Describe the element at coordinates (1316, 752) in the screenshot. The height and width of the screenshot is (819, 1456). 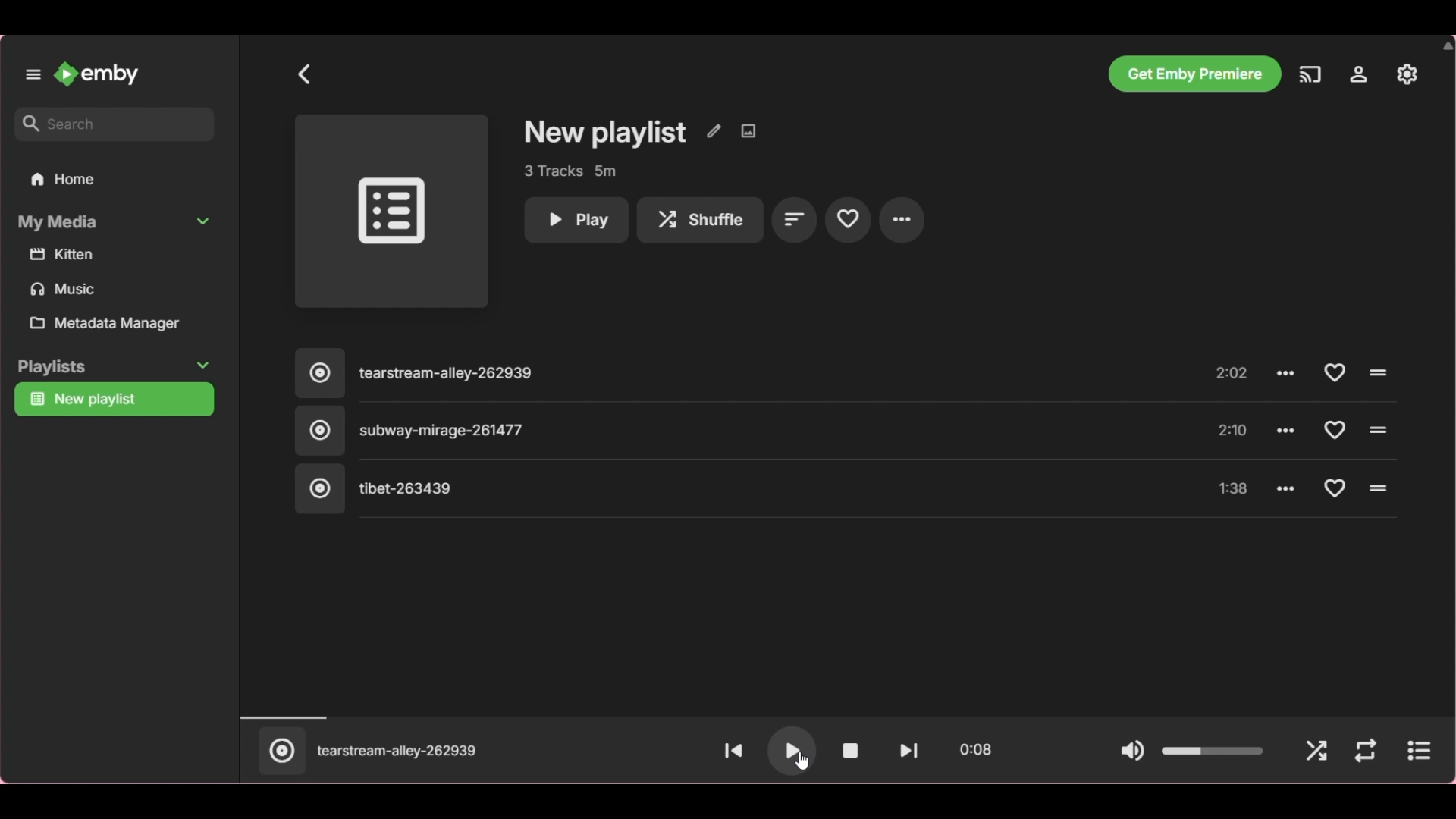
I see `Shuffle` at that location.